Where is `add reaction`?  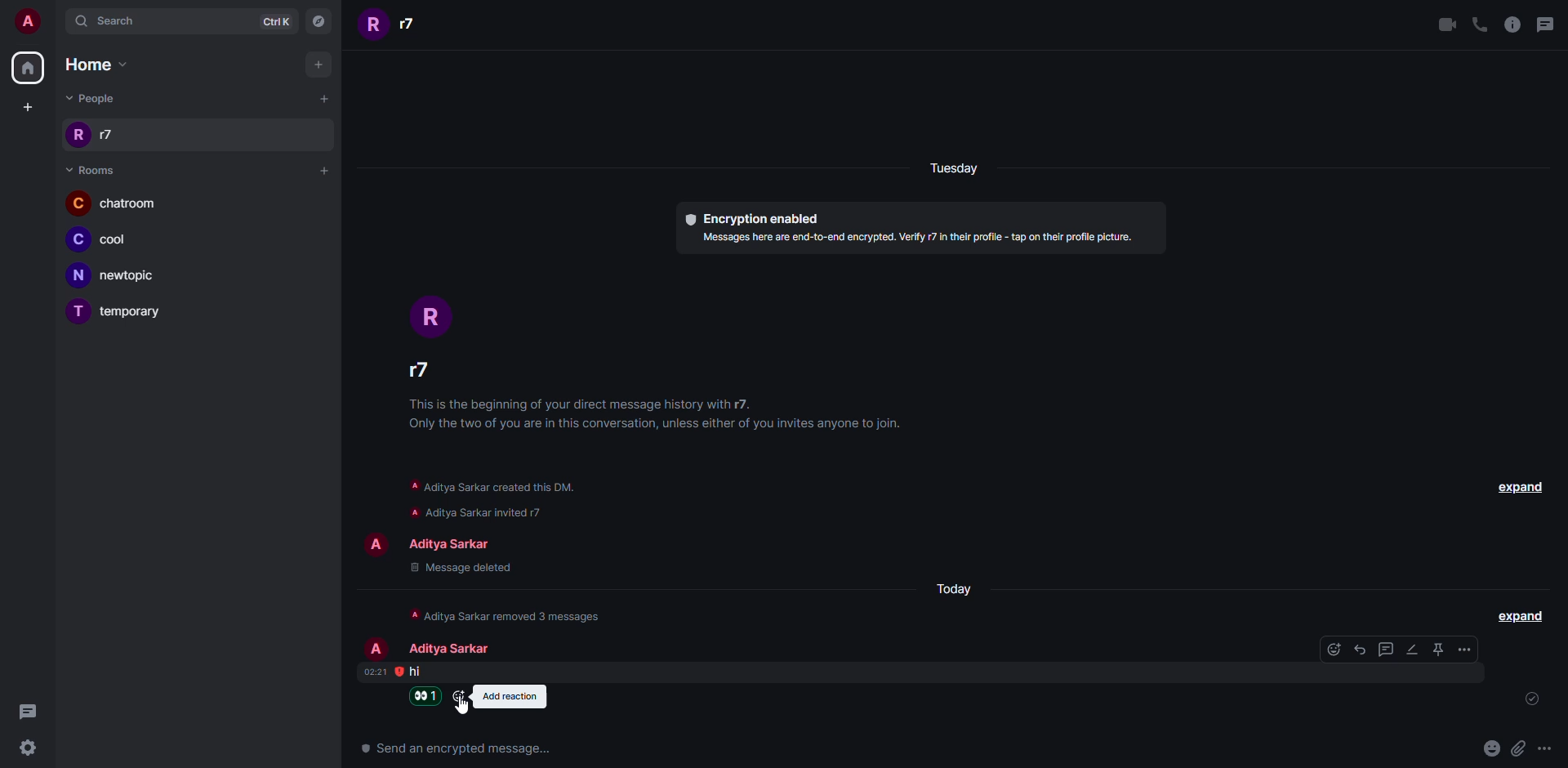 add reaction is located at coordinates (509, 696).